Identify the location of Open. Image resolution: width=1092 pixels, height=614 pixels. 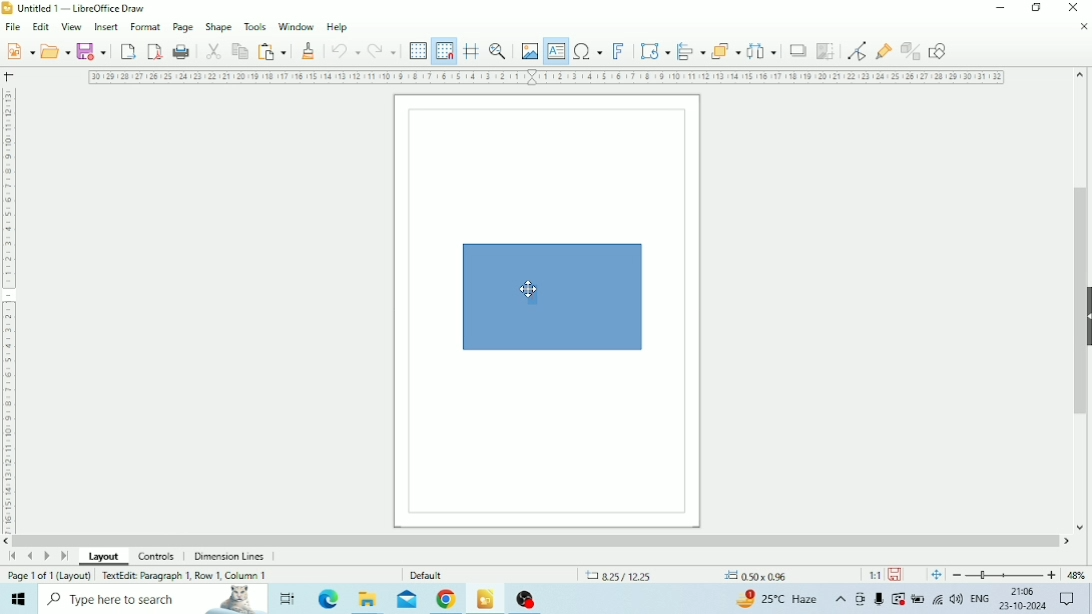
(55, 51).